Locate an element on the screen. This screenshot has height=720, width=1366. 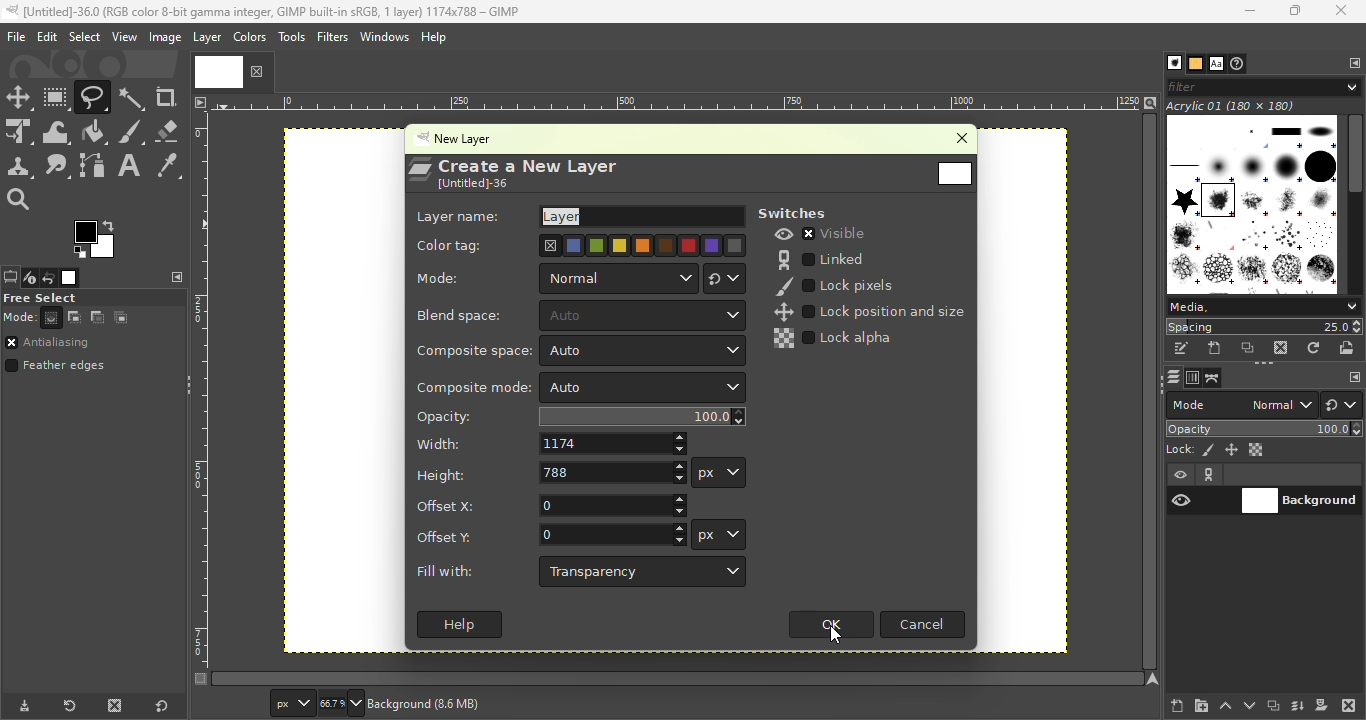
Free select is located at coordinates (92, 297).